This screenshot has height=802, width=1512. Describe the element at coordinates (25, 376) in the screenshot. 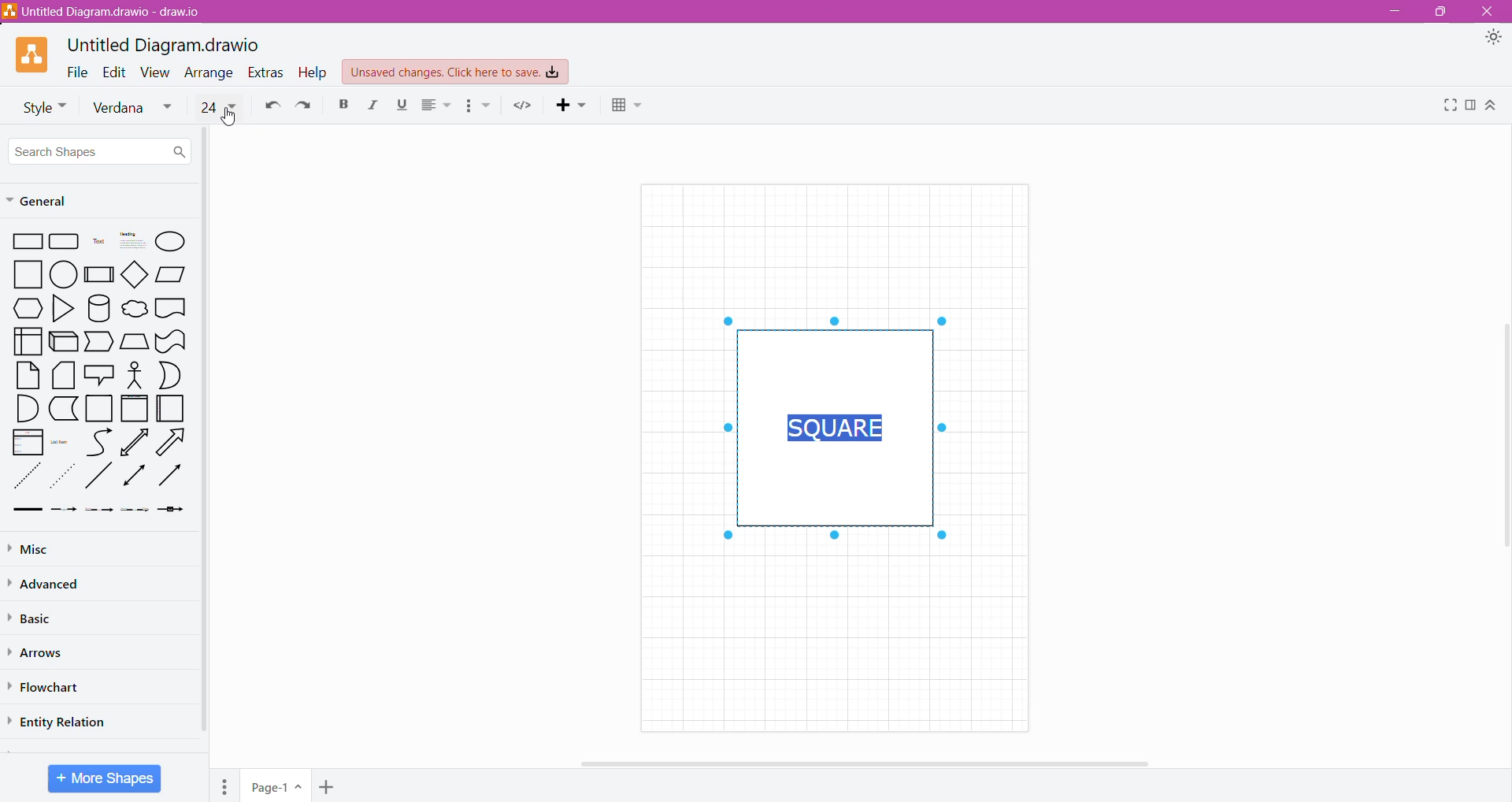

I see `Paper Sheet` at that location.